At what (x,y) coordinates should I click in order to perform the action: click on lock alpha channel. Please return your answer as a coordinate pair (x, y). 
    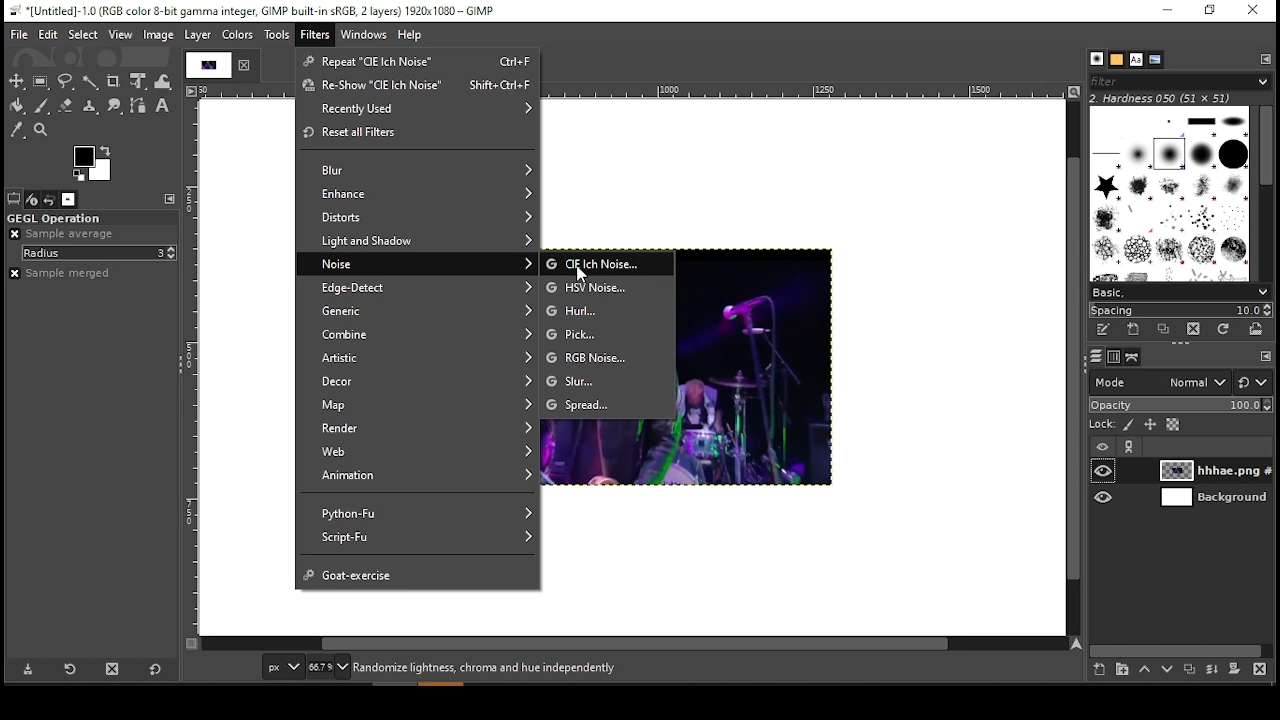
    Looking at the image, I should click on (1176, 426).